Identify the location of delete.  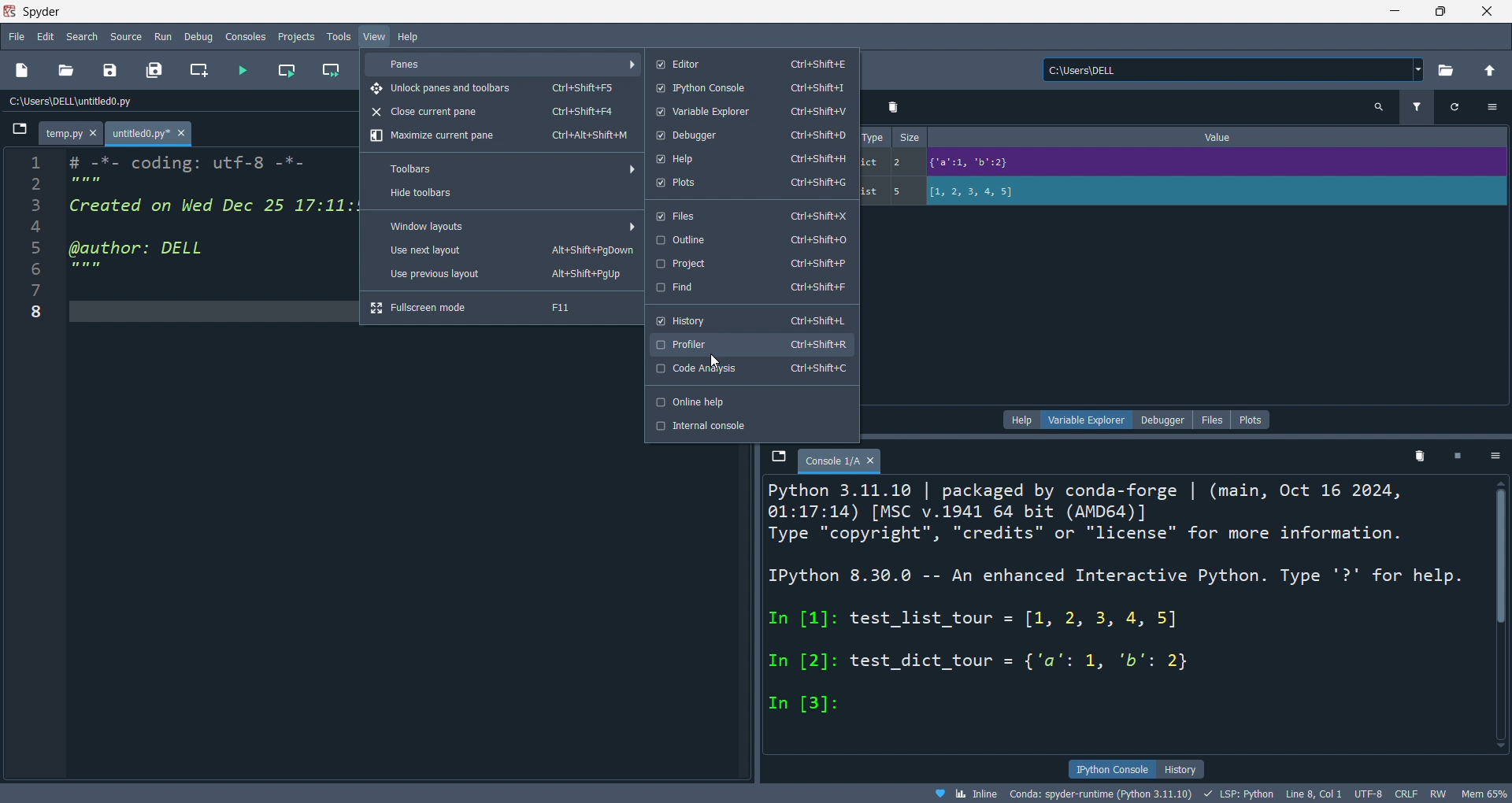
(891, 105).